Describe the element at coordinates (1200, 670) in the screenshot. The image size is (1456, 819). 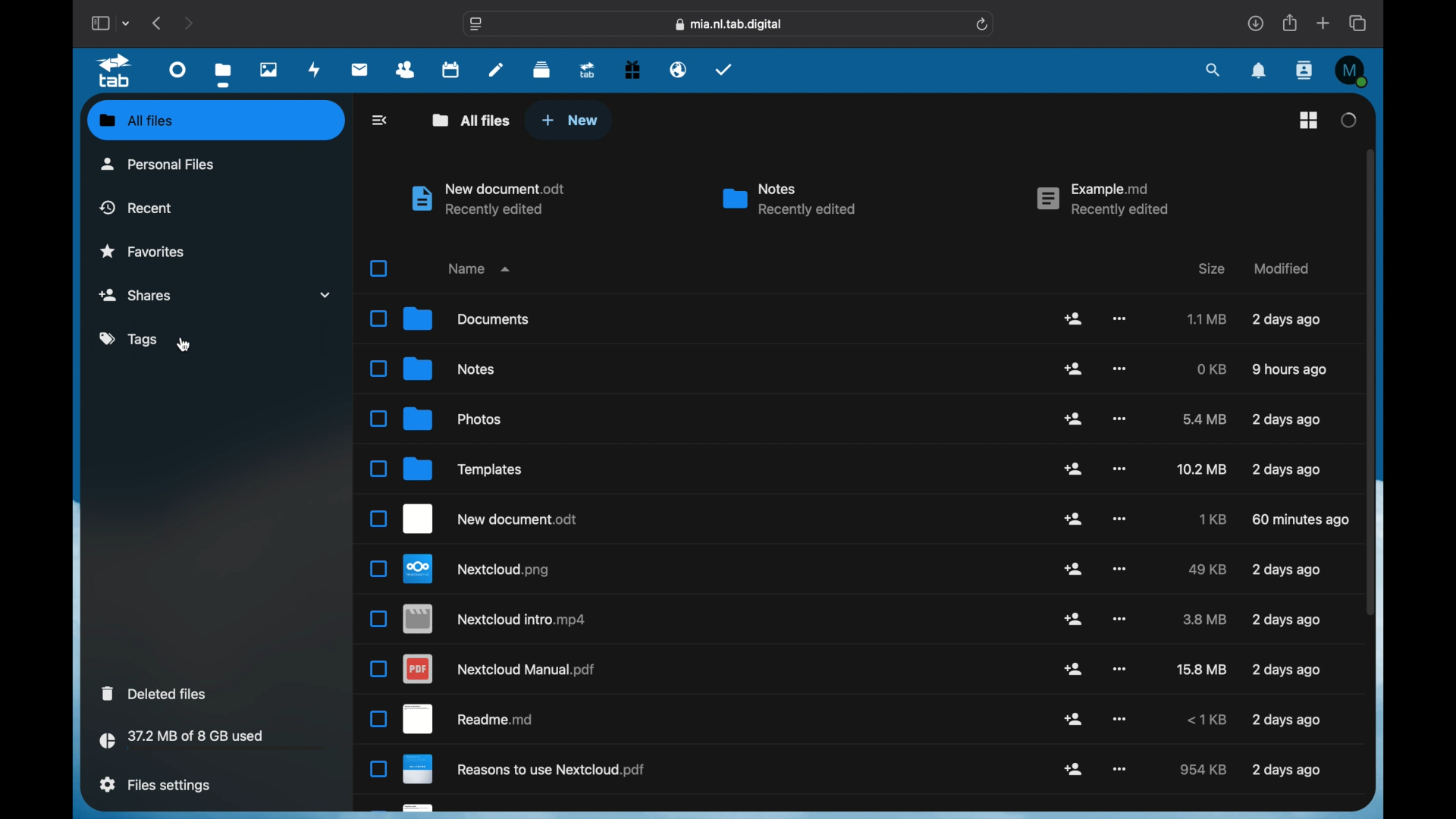
I see `size` at that location.